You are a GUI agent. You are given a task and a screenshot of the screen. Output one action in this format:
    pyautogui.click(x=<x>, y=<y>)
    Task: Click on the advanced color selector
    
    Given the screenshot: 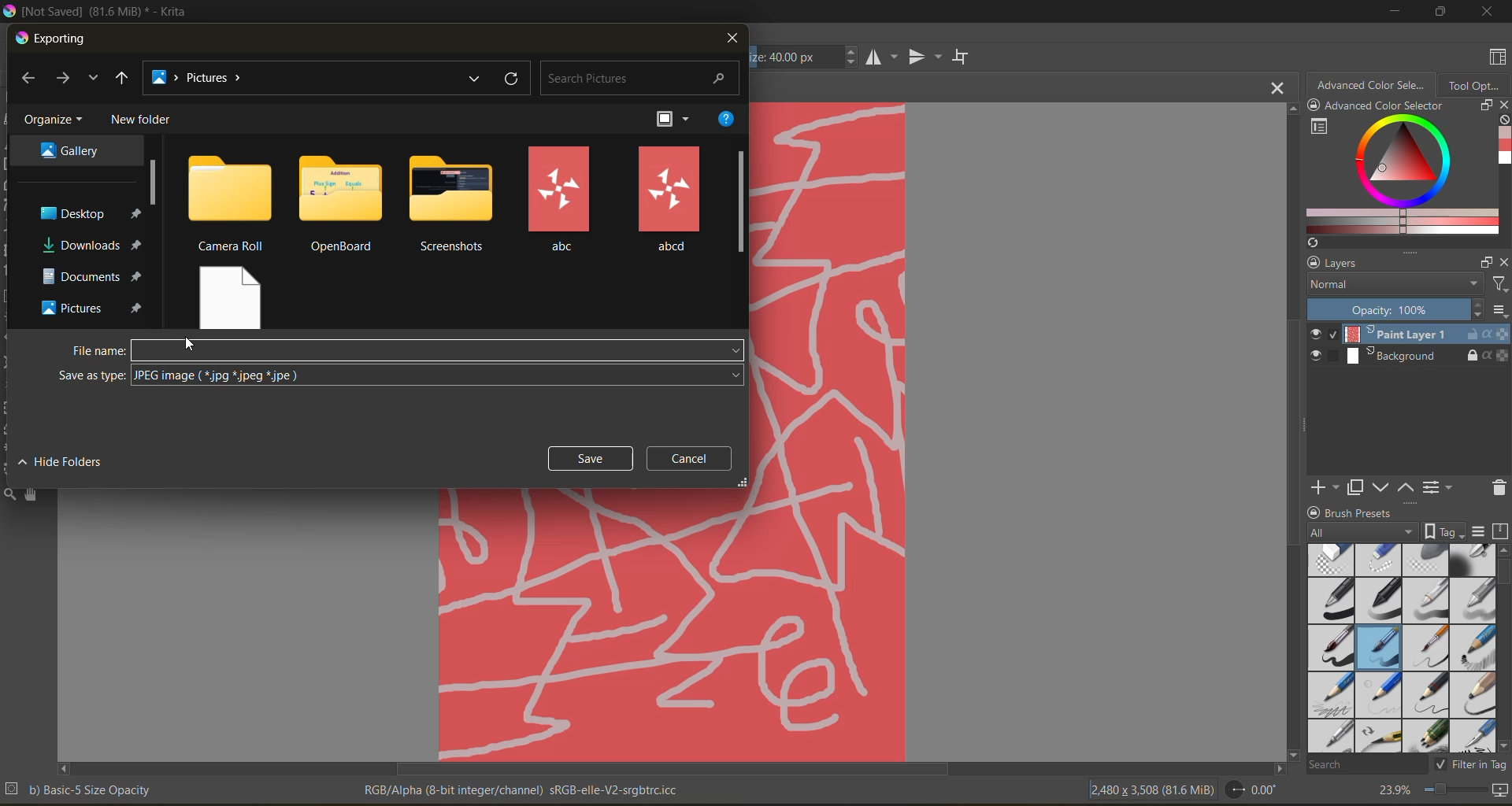 What is the action you would take?
    pyautogui.click(x=1371, y=83)
    